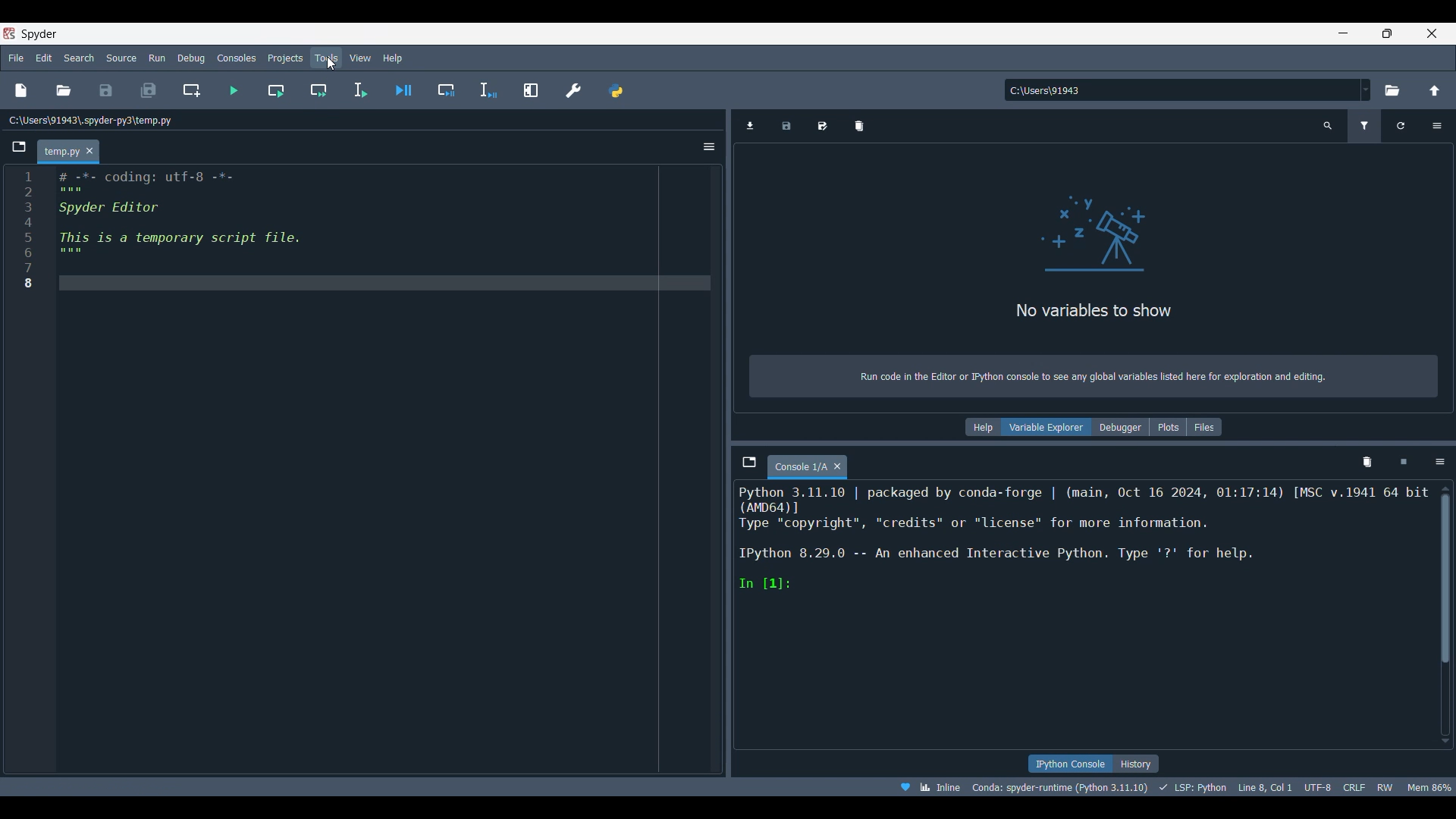 The height and width of the screenshot is (819, 1456). What do you see at coordinates (1319, 785) in the screenshot?
I see `utf-8` at bounding box center [1319, 785].